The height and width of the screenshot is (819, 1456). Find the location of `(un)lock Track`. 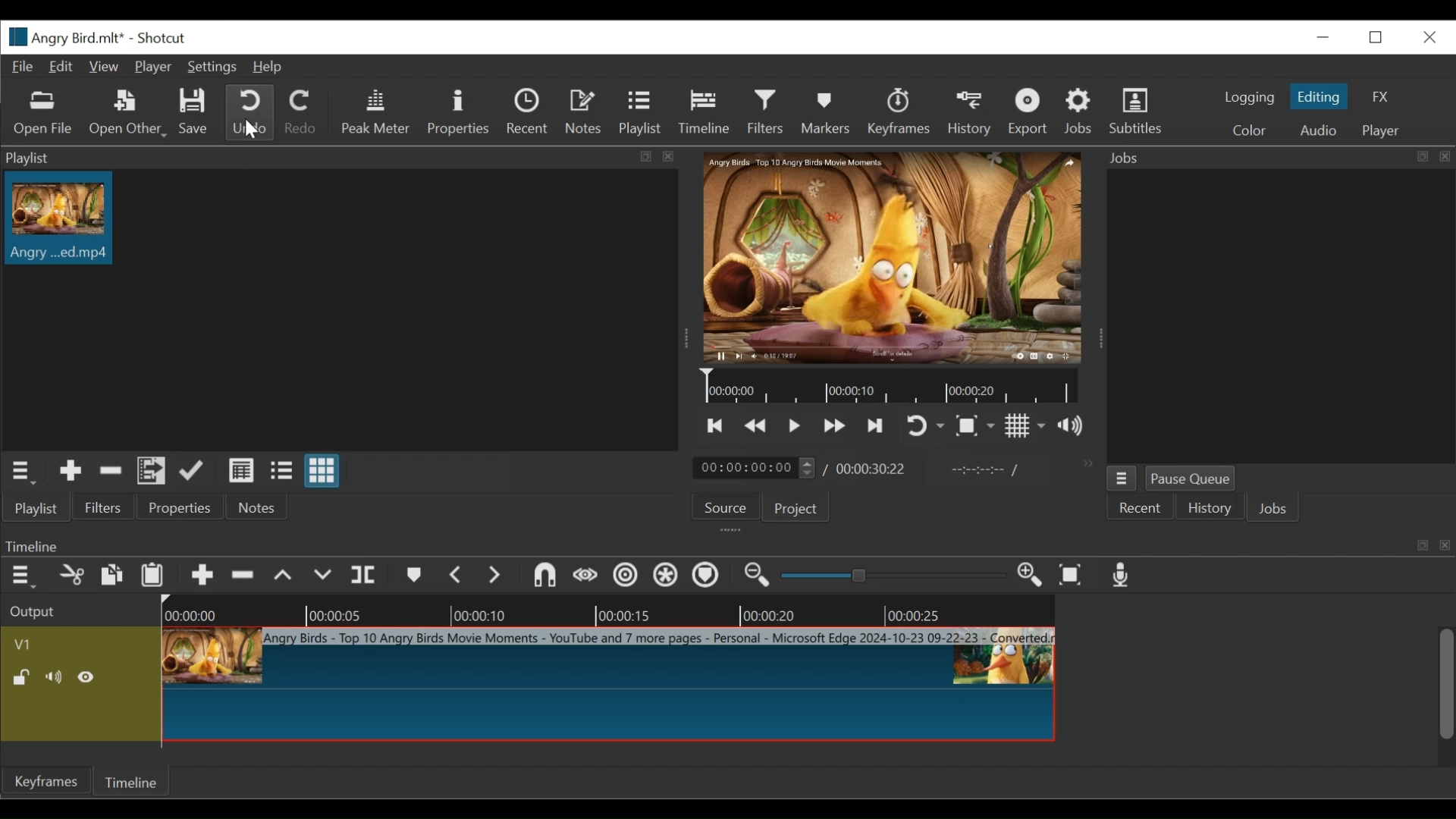

(un)lock Track is located at coordinates (20, 675).